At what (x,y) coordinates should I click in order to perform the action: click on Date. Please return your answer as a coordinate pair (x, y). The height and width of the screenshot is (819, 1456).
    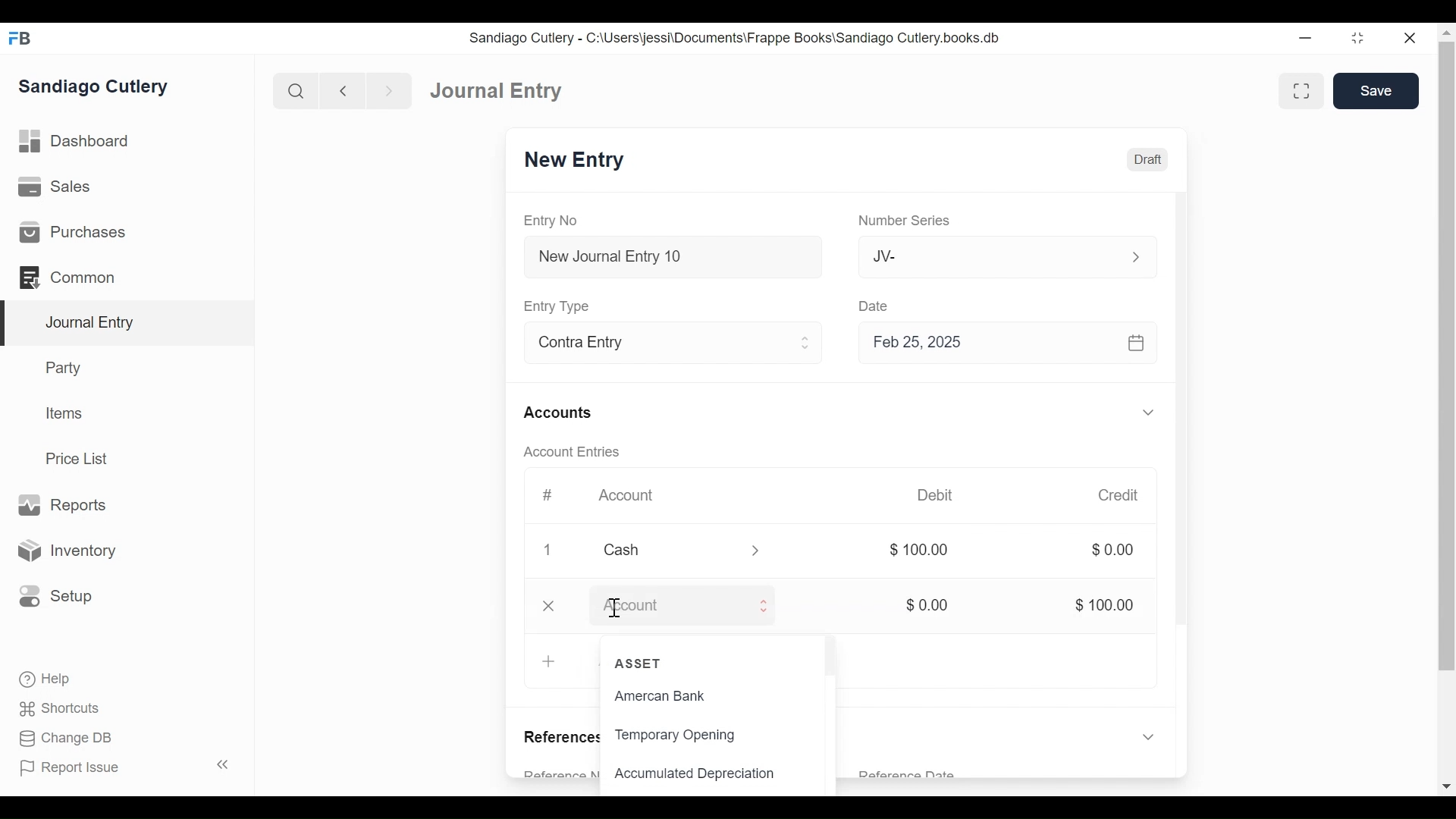
    Looking at the image, I should click on (880, 306).